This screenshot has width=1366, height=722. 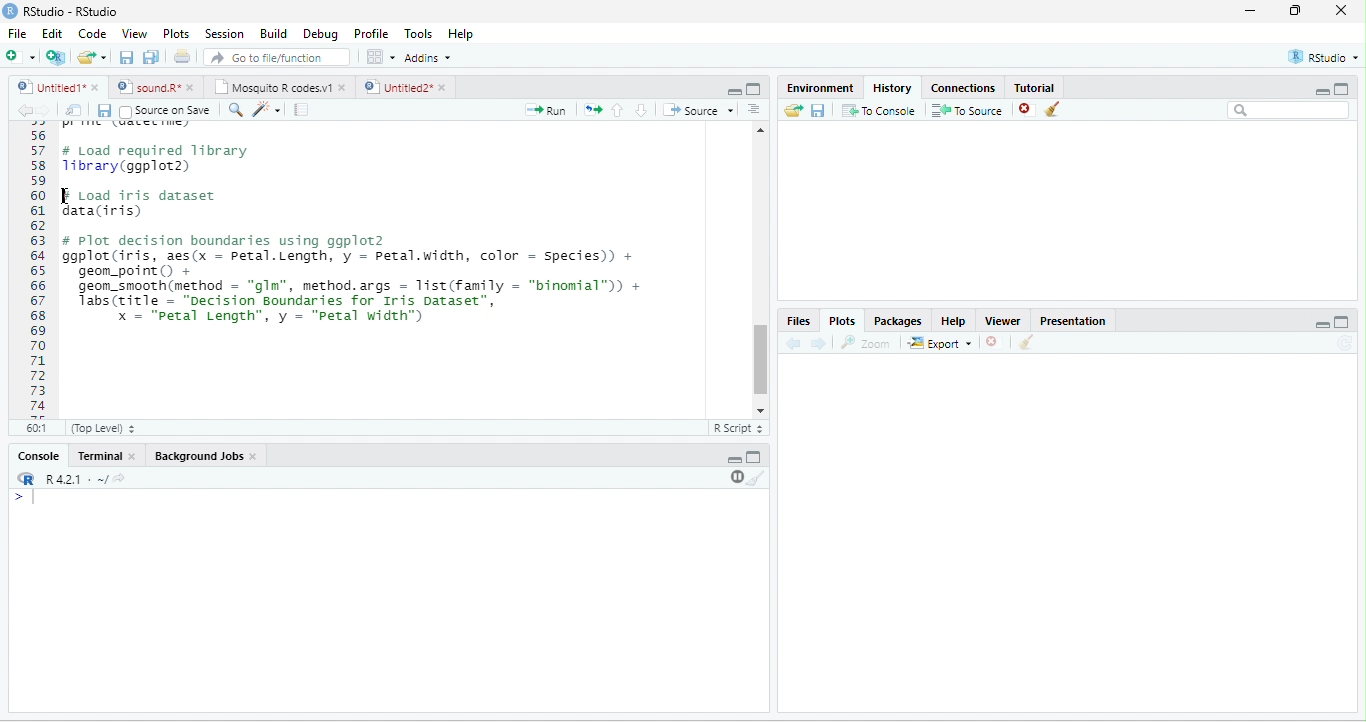 What do you see at coordinates (734, 92) in the screenshot?
I see `minimize` at bounding box center [734, 92].